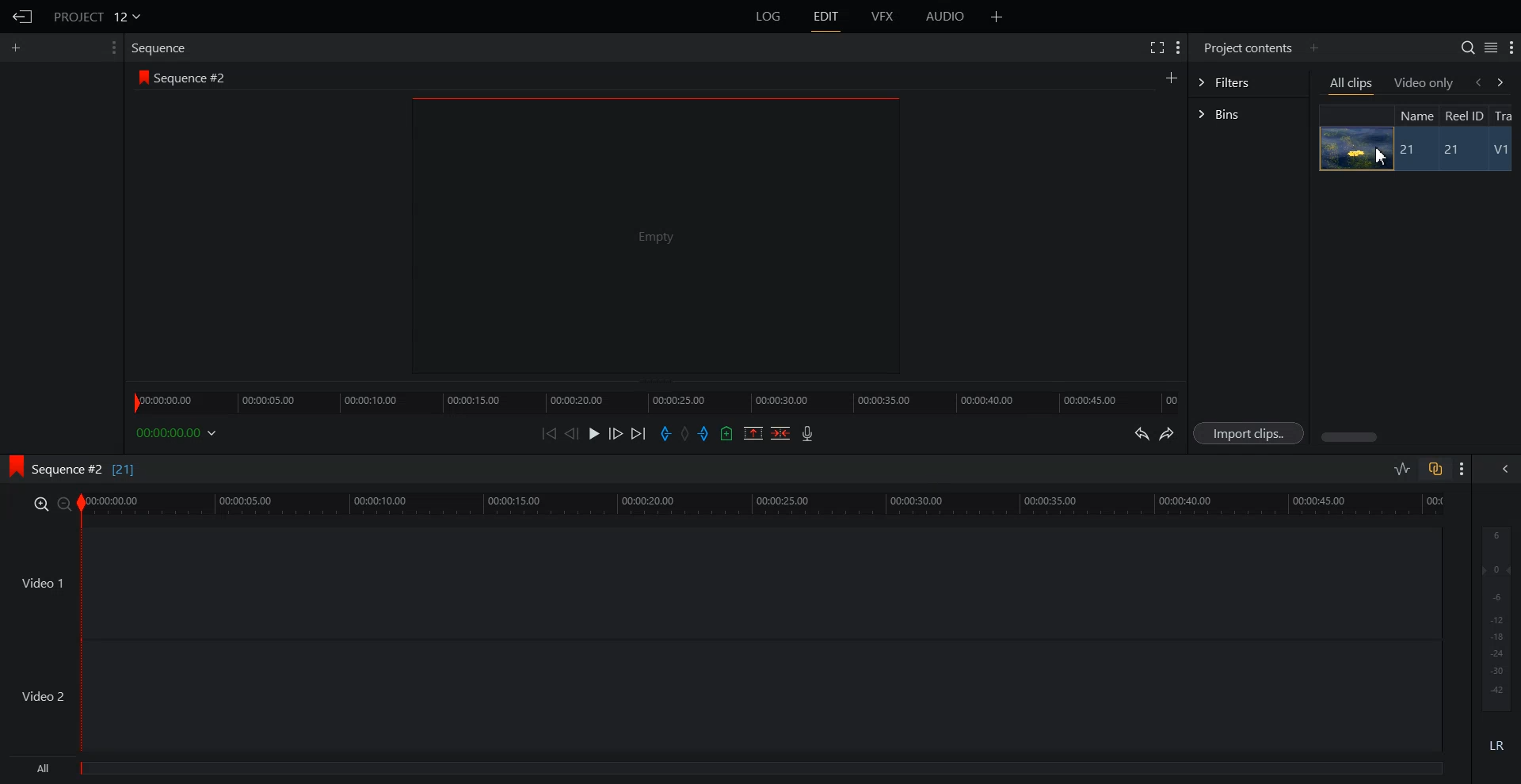 This screenshot has height=784, width=1521. What do you see at coordinates (706, 433) in the screenshot?
I see `Add an out Mark in current position` at bounding box center [706, 433].